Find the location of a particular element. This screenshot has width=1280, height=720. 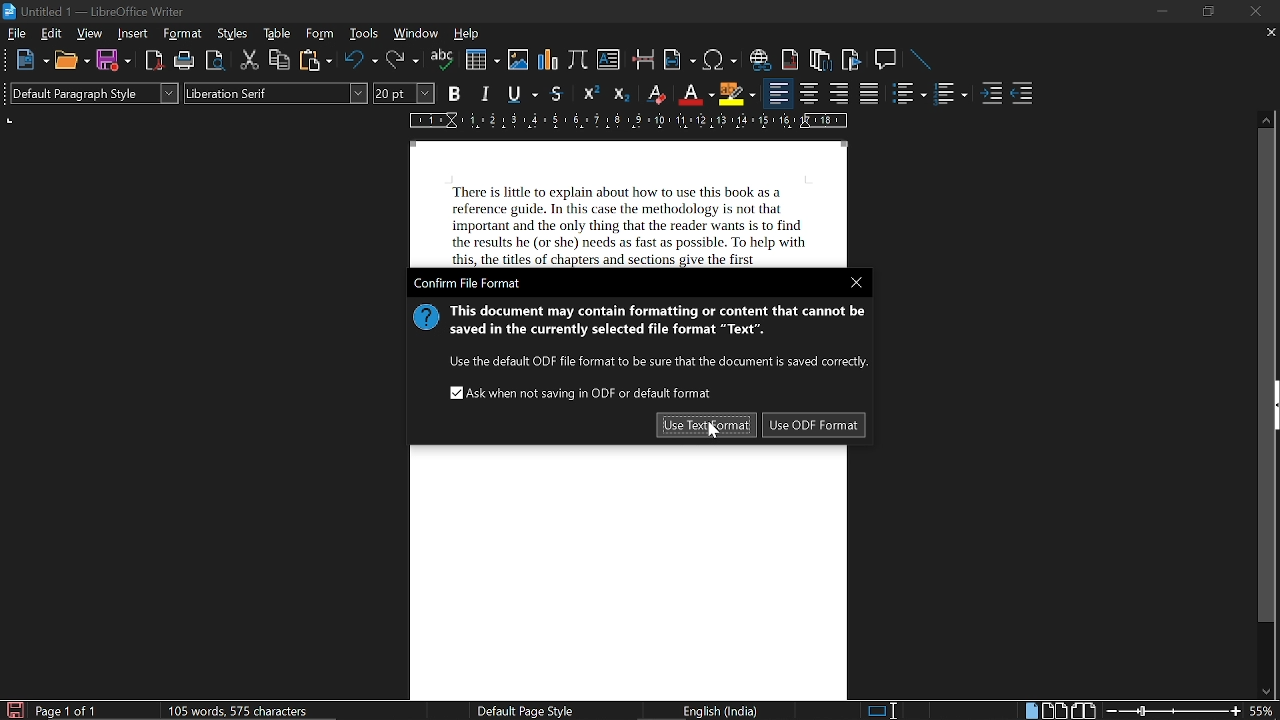

scale is located at coordinates (627, 119).